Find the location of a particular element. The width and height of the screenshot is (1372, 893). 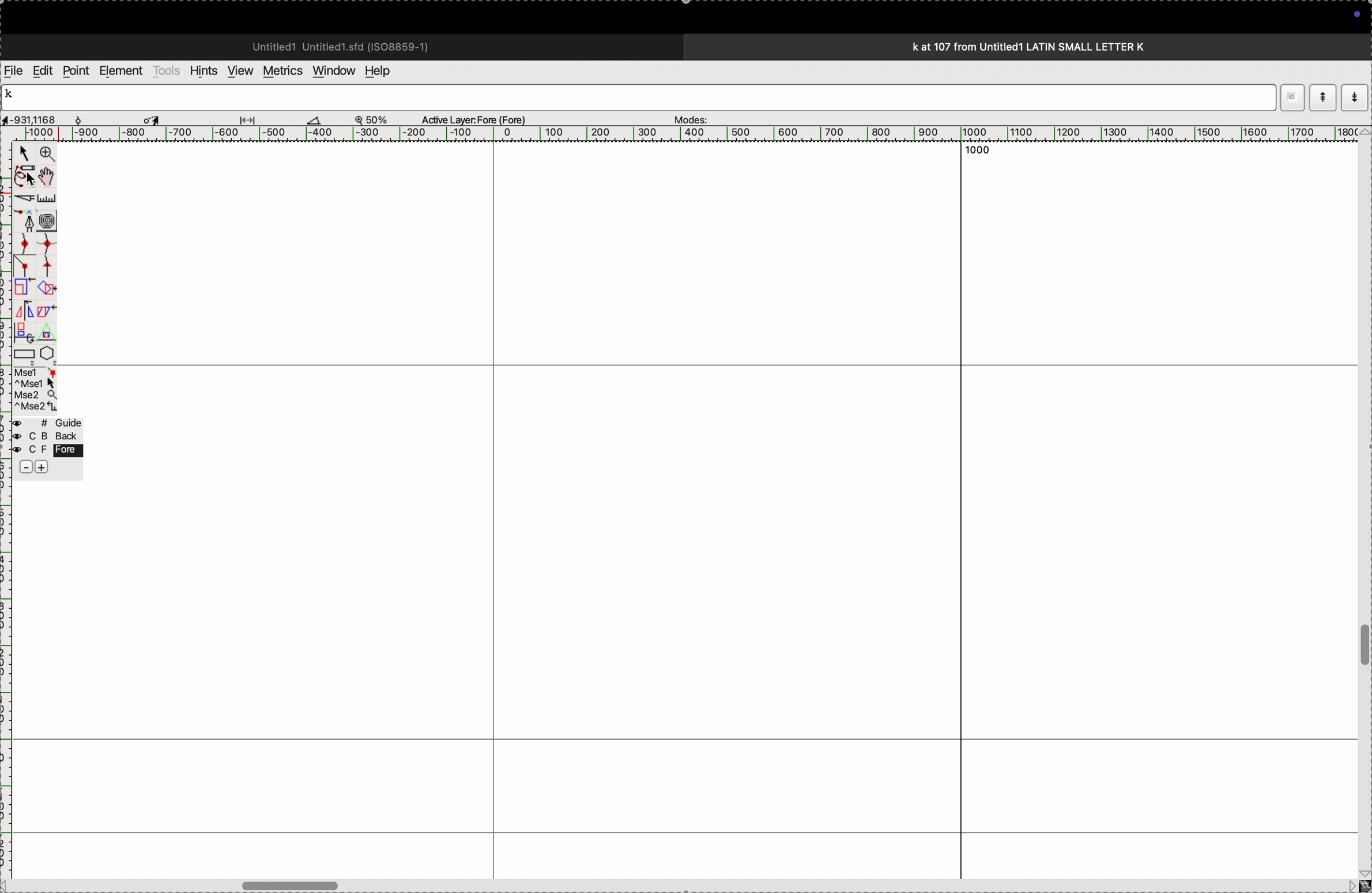

title is located at coordinates (1060, 46).